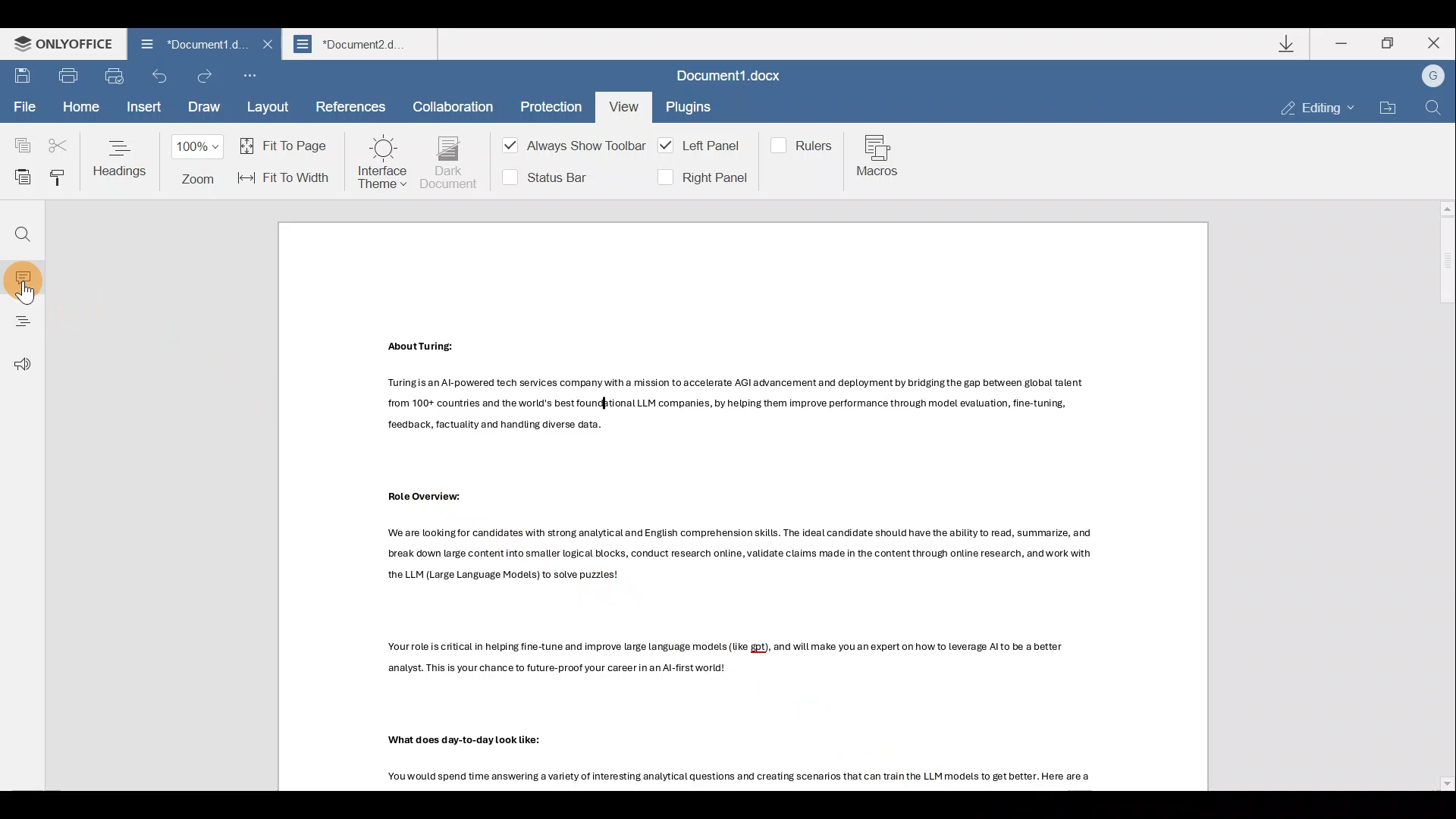  What do you see at coordinates (27, 275) in the screenshot?
I see `Comment` at bounding box center [27, 275].